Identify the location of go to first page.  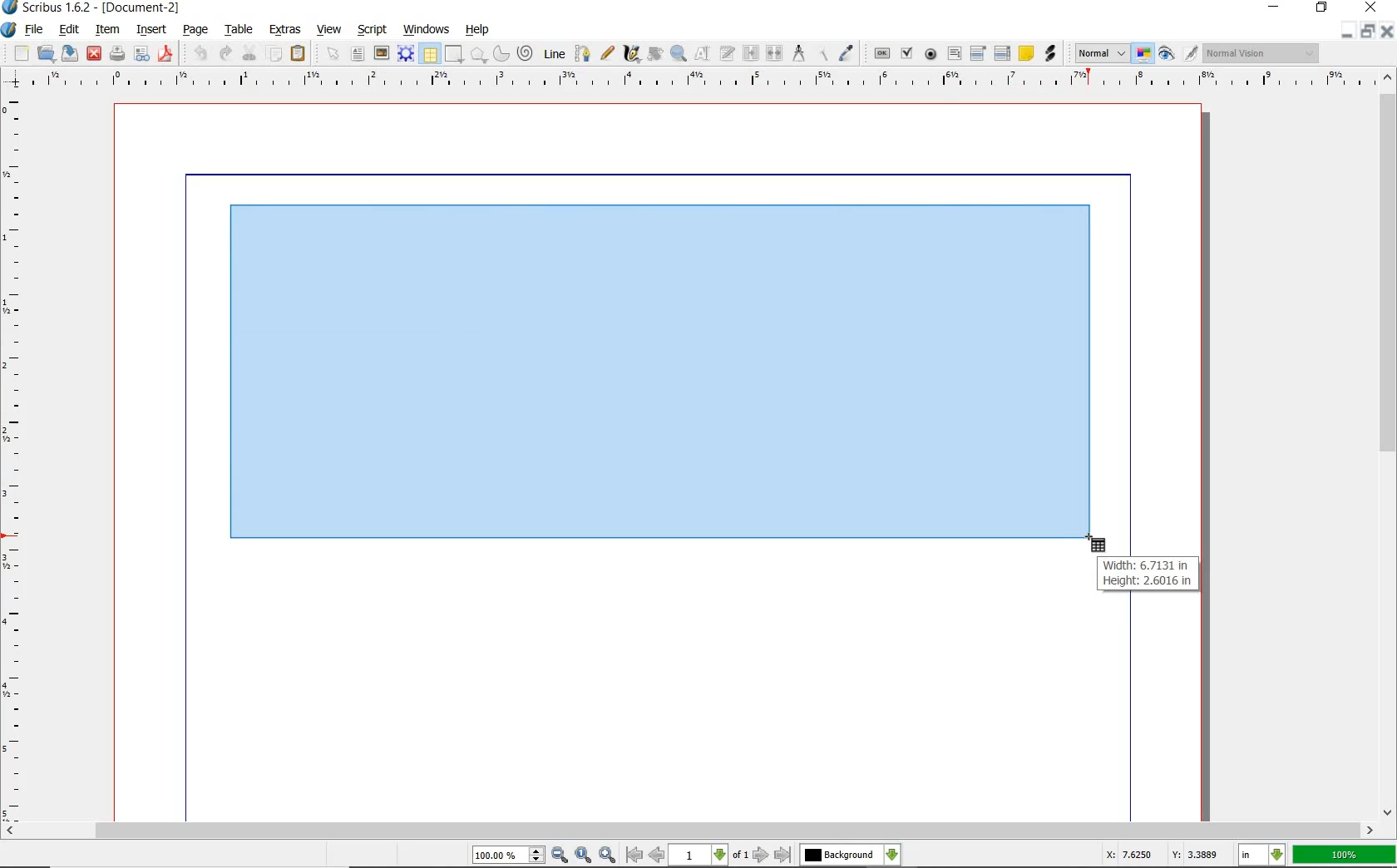
(634, 856).